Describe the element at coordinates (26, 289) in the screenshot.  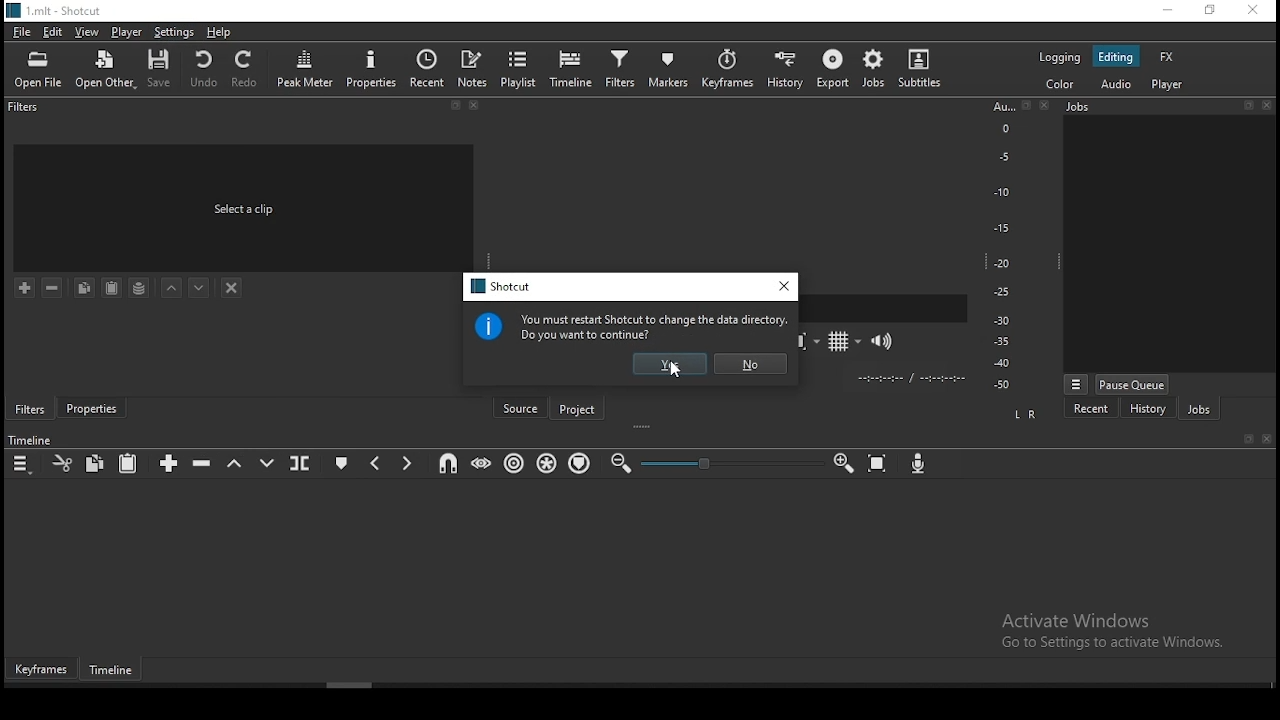
I see `add a filter` at that location.